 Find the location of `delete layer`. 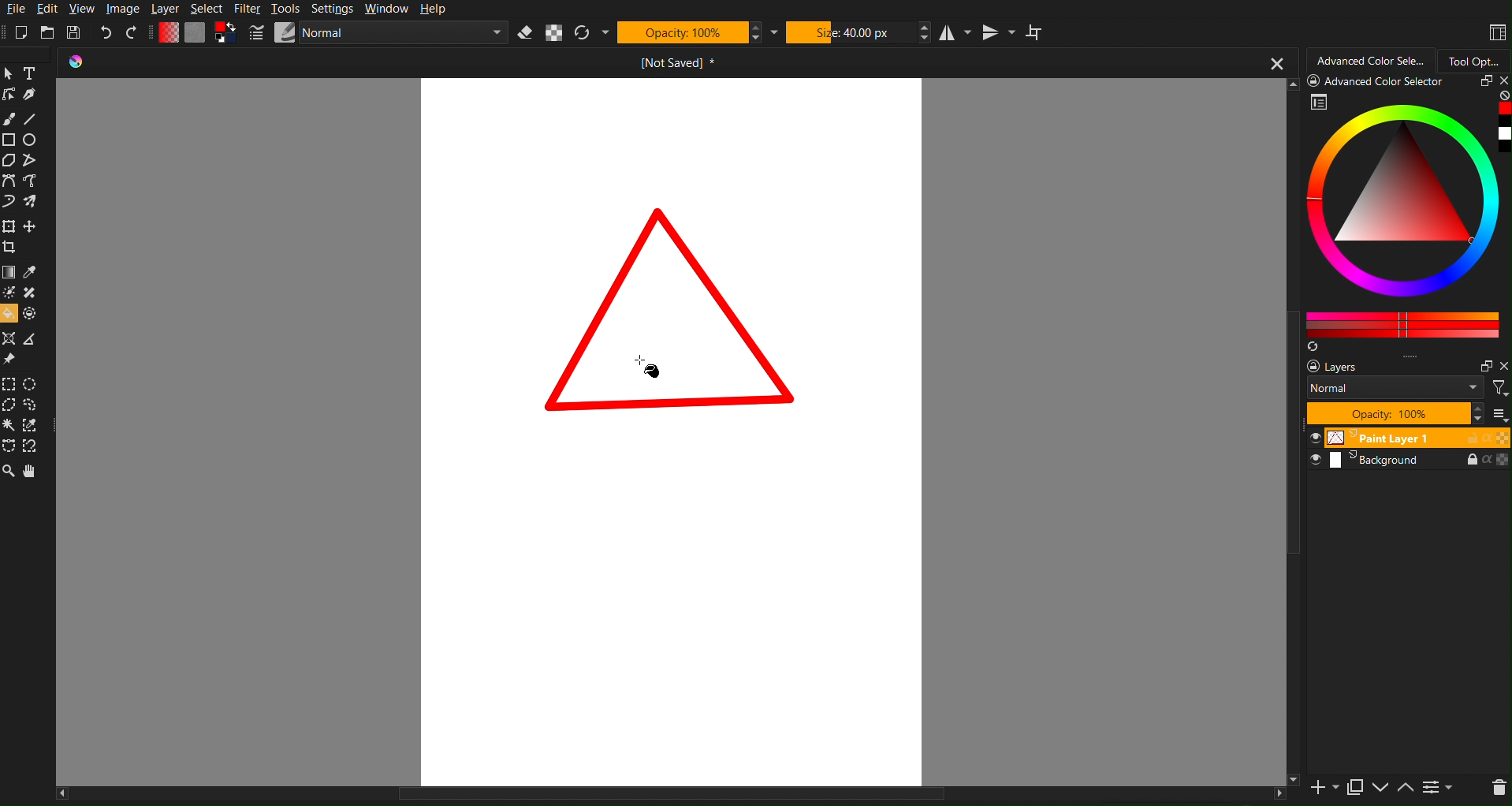

delete layer is located at coordinates (1498, 788).